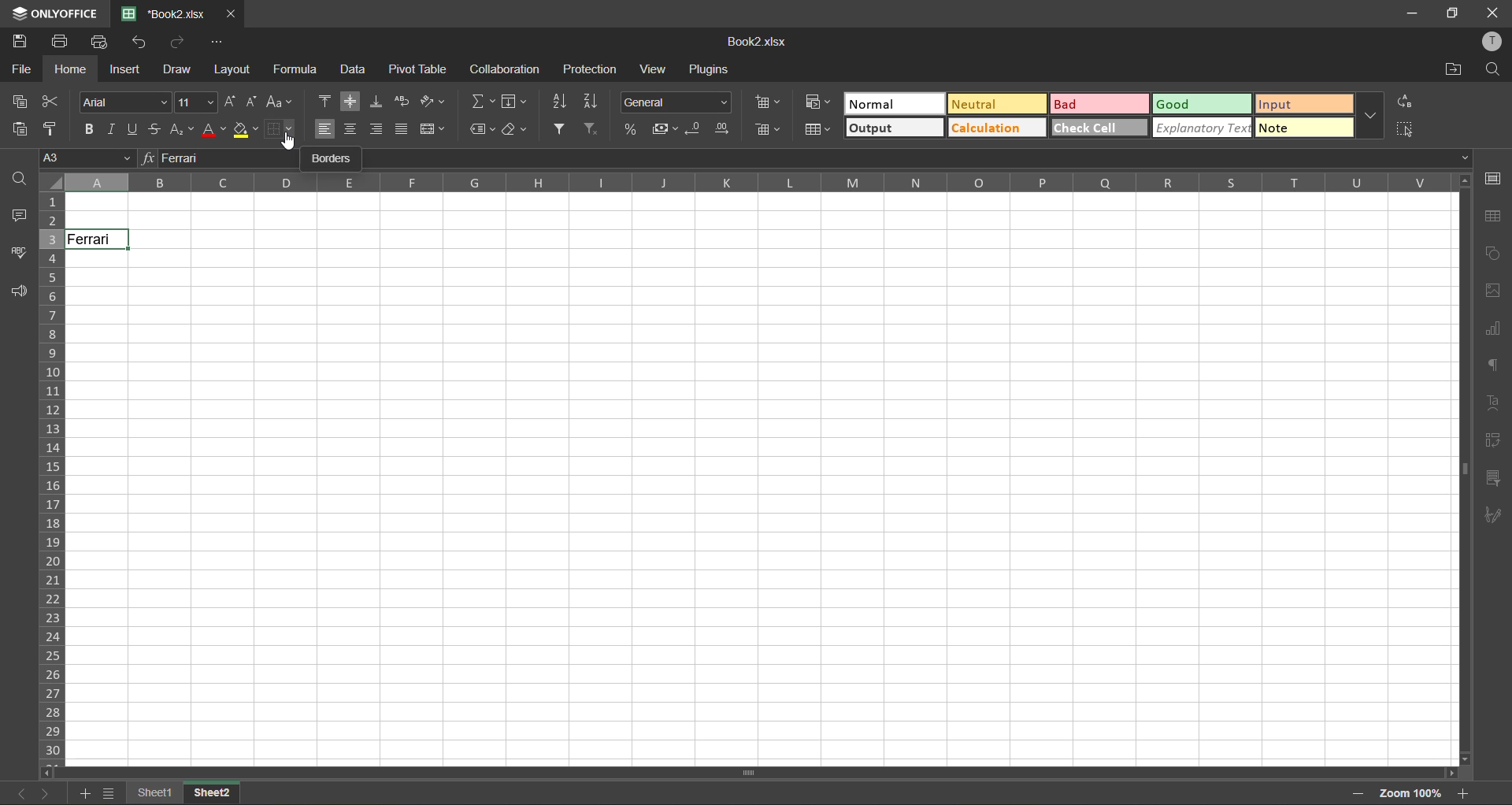 The width and height of the screenshot is (1512, 805). I want to click on align middle, so click(351, 101).